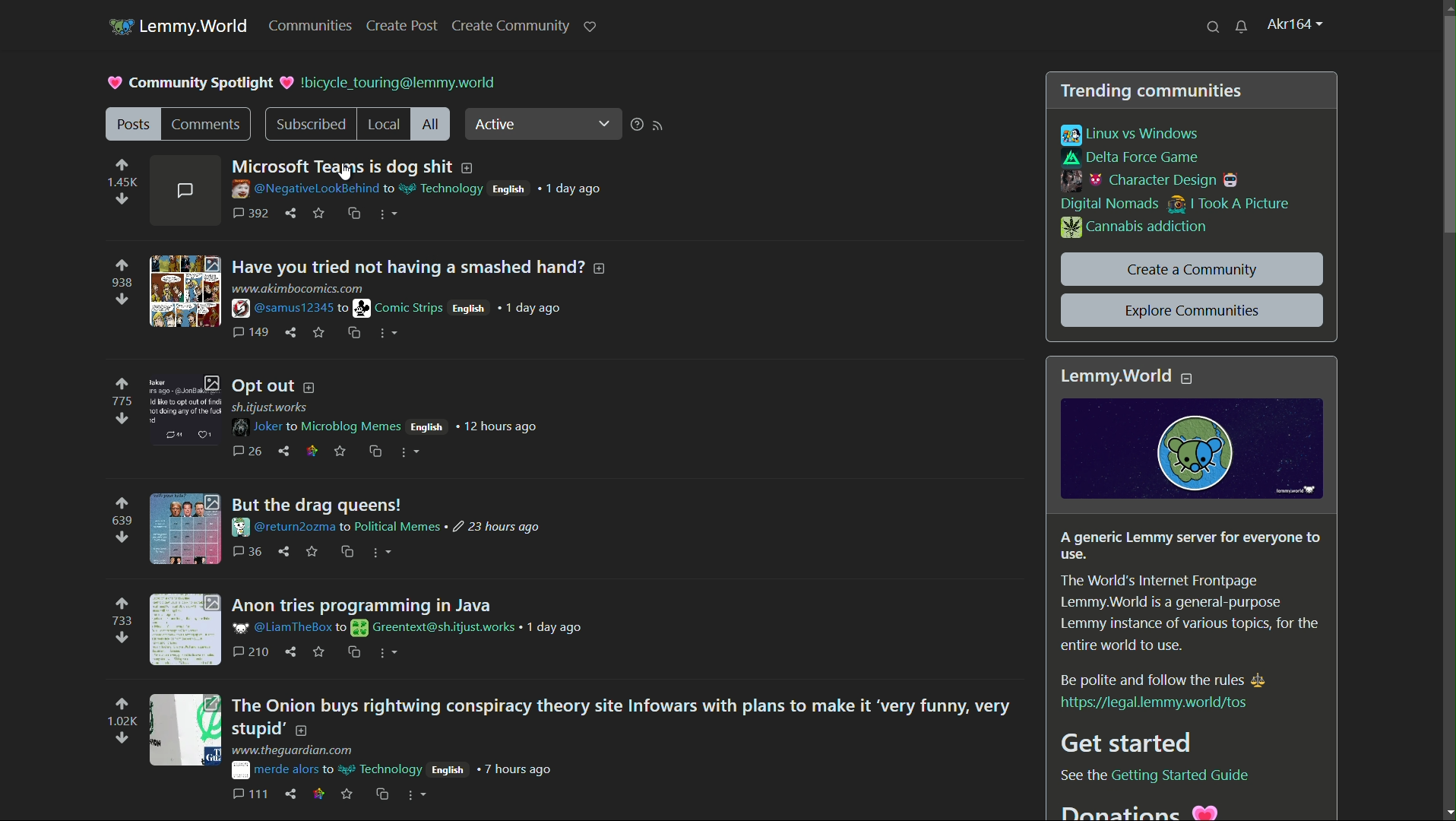 The height and width of the screenshot is (821, 1456). Describe the element at coordinates (292, 334) in the screenshot. I see `share` at that location.